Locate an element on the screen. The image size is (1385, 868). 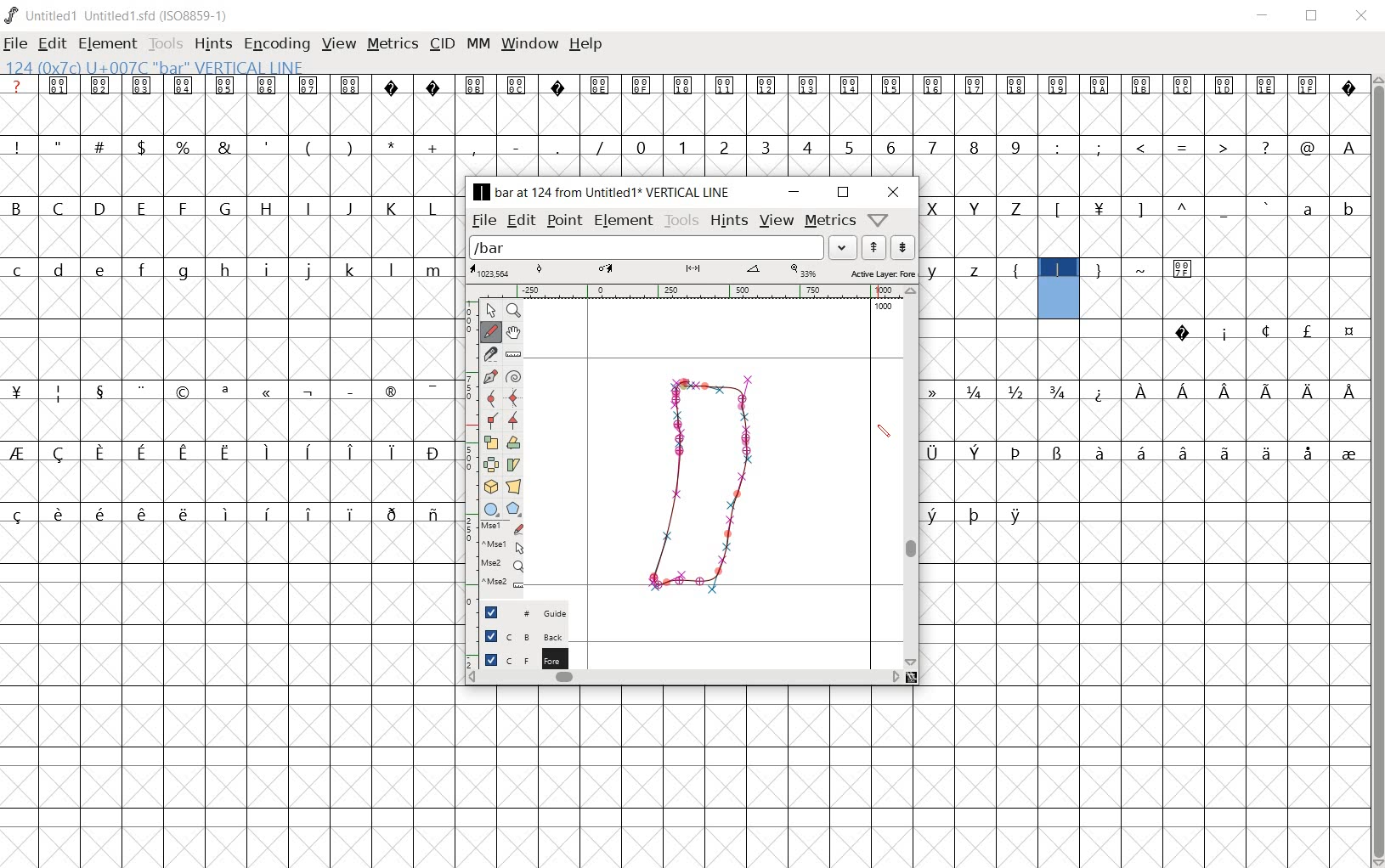
measure a distance, angle between points is located at coordinates (514, 355).